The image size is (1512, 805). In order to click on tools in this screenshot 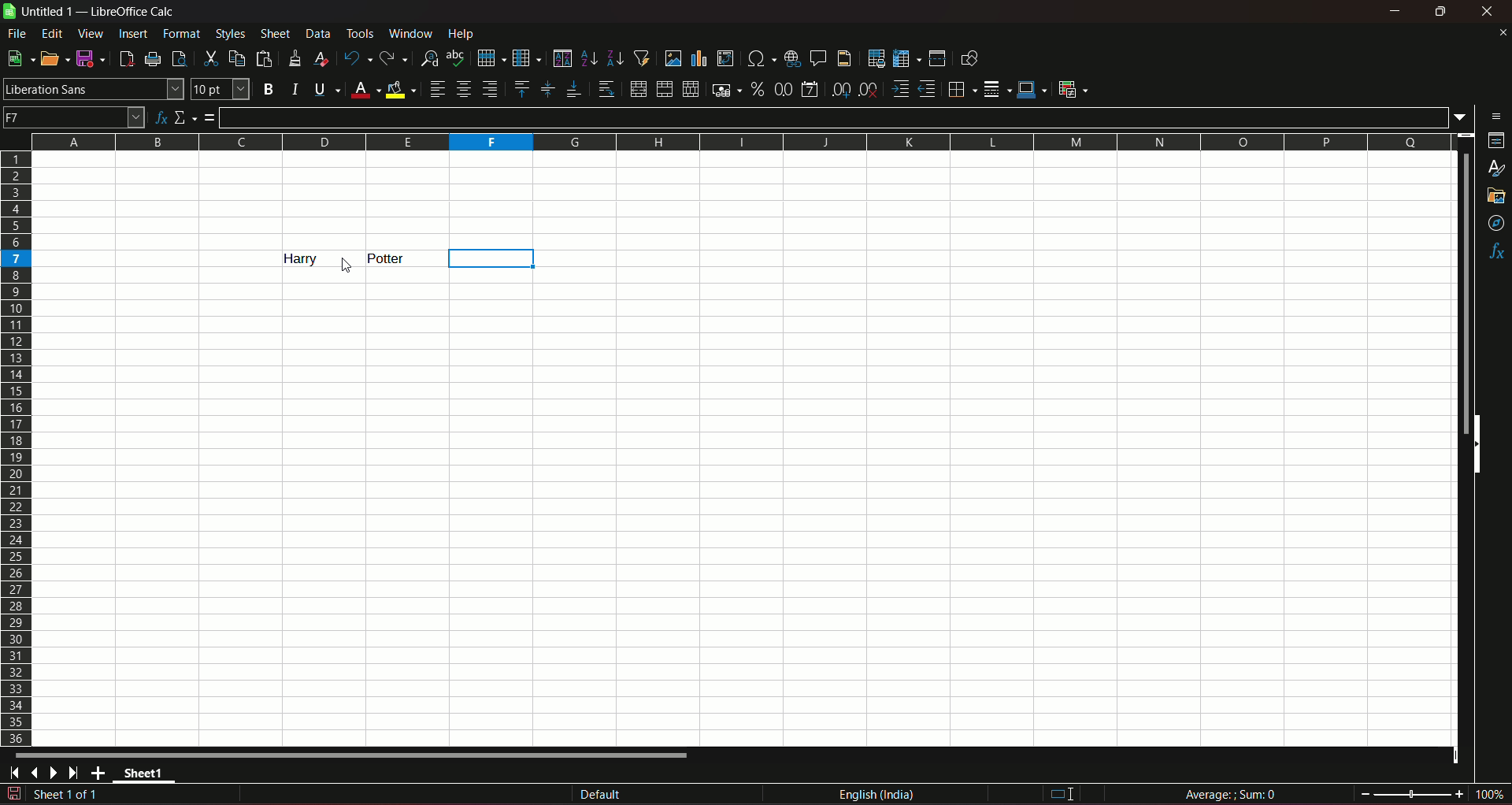, I will do `click(361, 33)`.